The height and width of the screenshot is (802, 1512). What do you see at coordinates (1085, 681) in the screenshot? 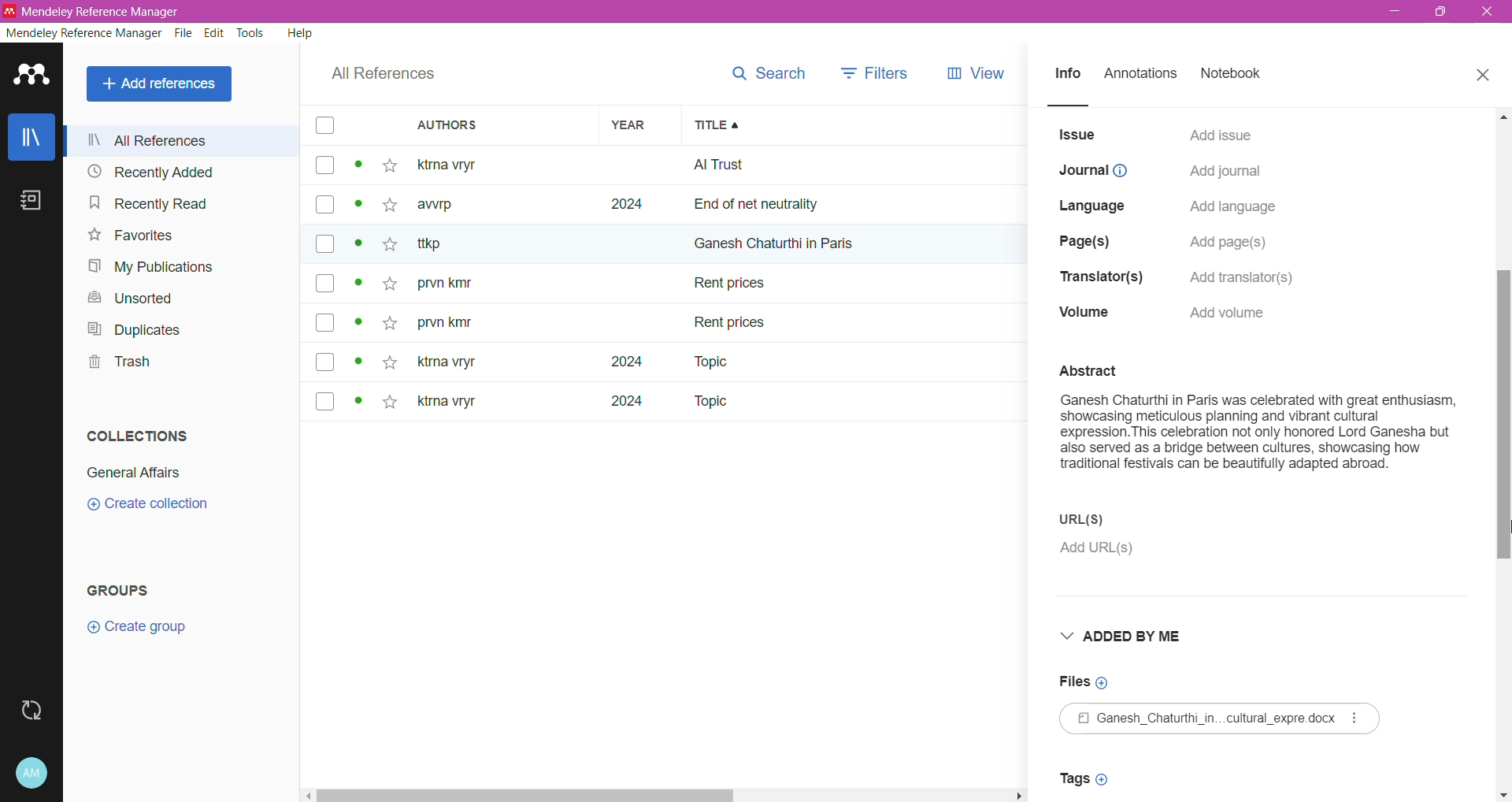
I see `Files` at bounding box center [1085, 681].